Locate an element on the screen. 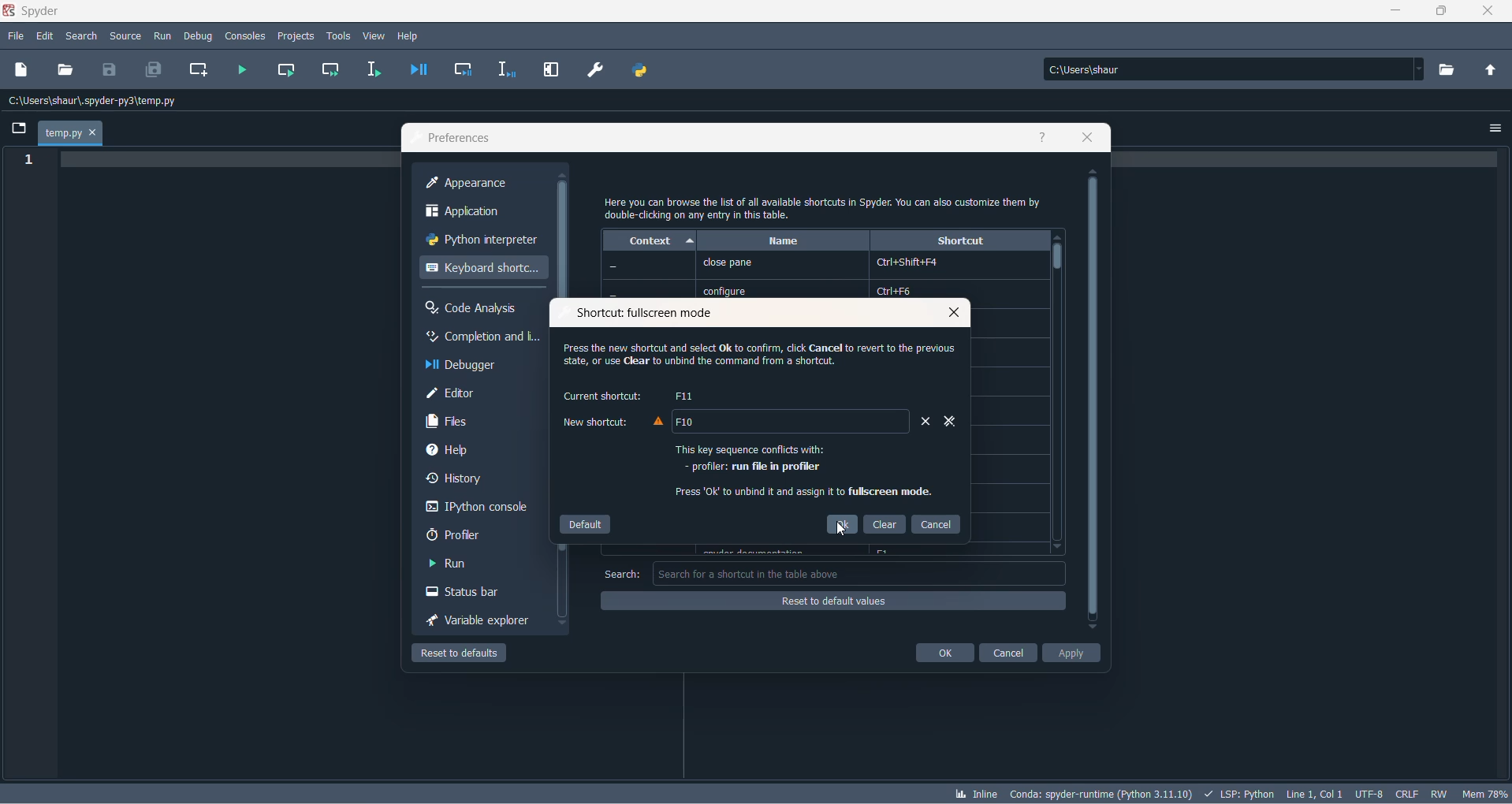 This screenshot has height=804, width=1512. consoles is located at coordinates (245, 35).